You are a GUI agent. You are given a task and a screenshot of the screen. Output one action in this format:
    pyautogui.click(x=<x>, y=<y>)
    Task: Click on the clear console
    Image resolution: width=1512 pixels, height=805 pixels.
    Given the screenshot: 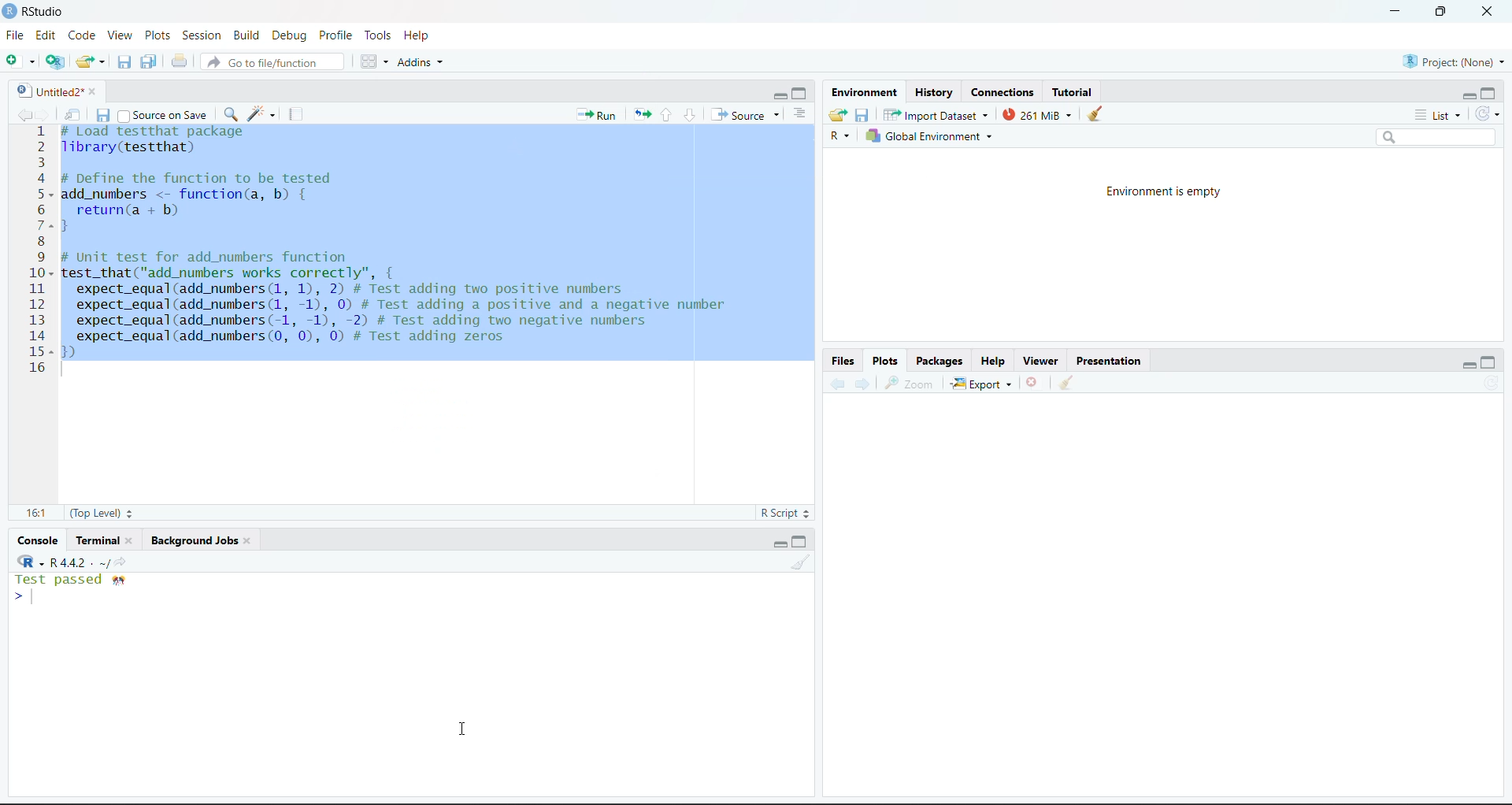 What is the action you would take?
    pyautogui.click(x=1098, y=115)
    